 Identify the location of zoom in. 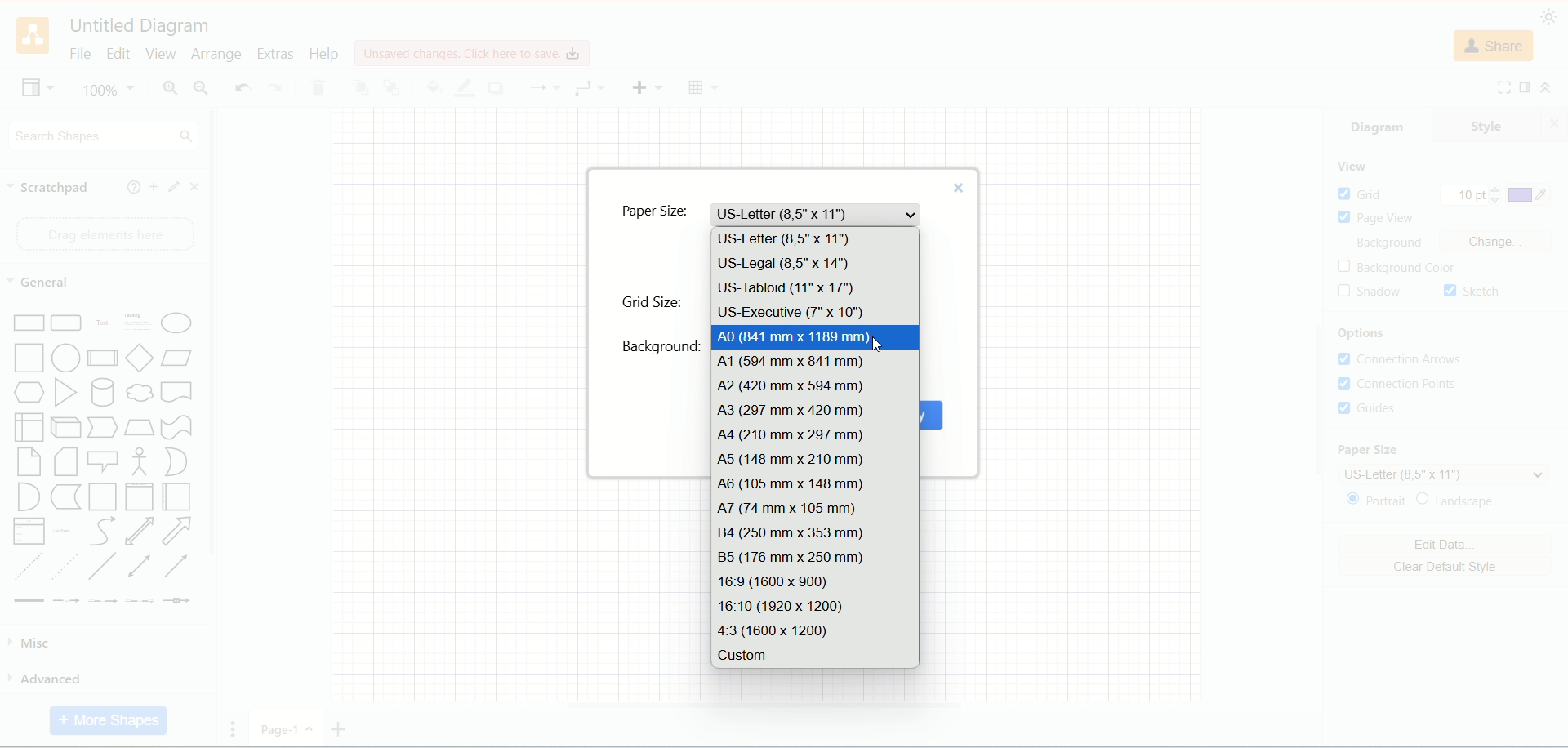
(167, 89).